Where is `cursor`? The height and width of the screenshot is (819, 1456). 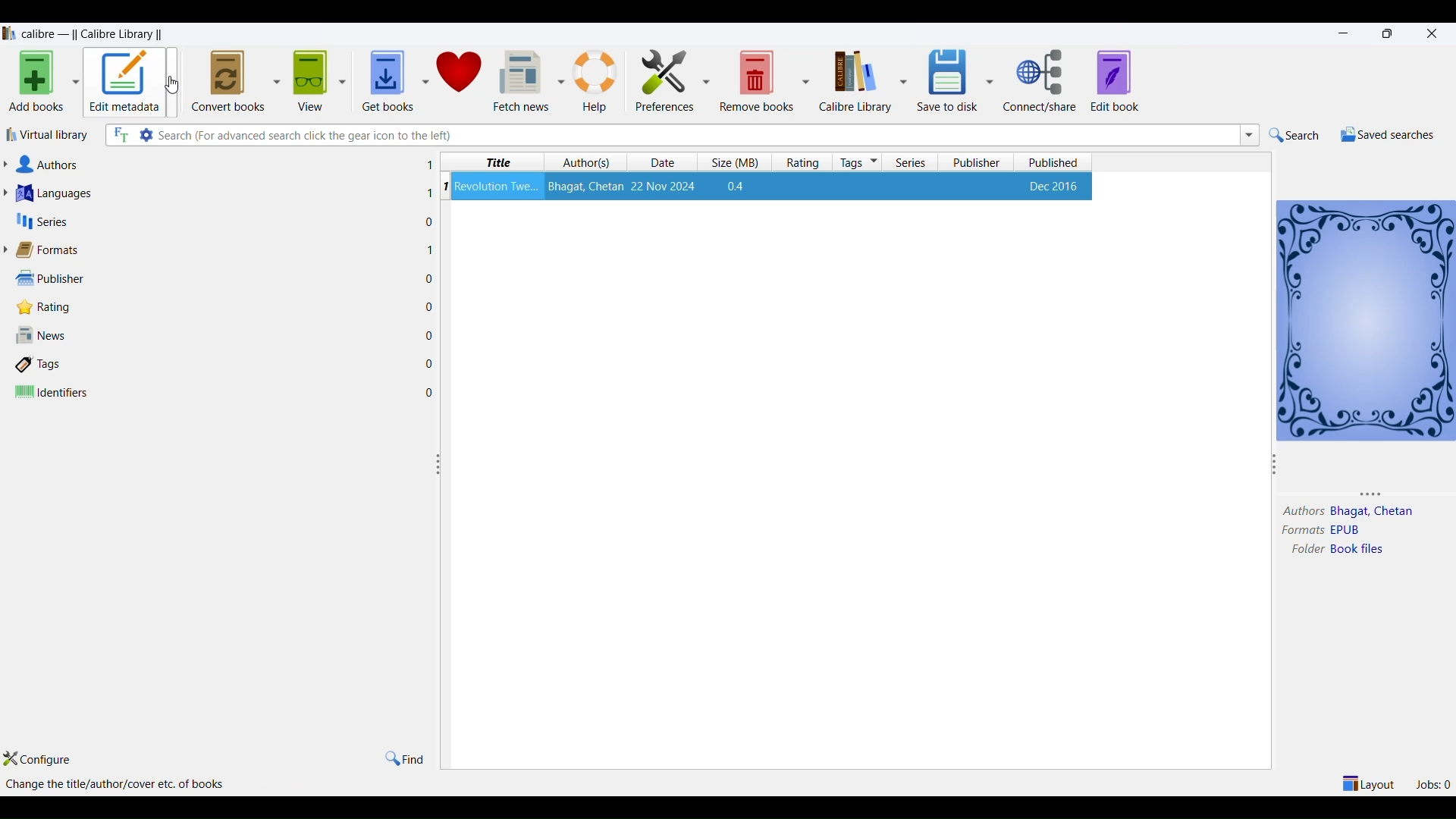 cursor is located at coordinates (174, 84).